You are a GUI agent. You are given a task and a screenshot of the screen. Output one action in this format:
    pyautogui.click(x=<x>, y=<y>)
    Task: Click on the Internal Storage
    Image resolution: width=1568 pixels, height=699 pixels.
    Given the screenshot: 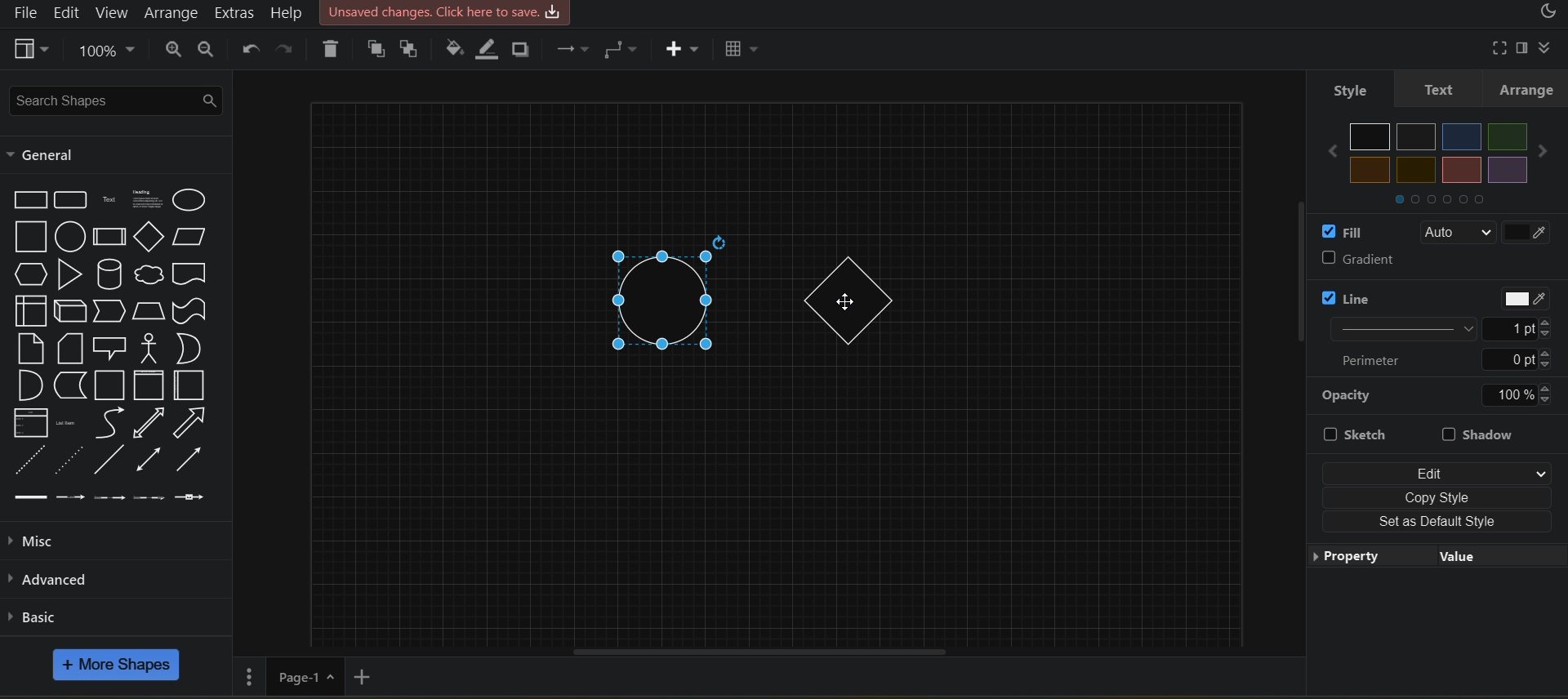 What is the action you would take?
    pyautogui.click(x=30, y=310)
    